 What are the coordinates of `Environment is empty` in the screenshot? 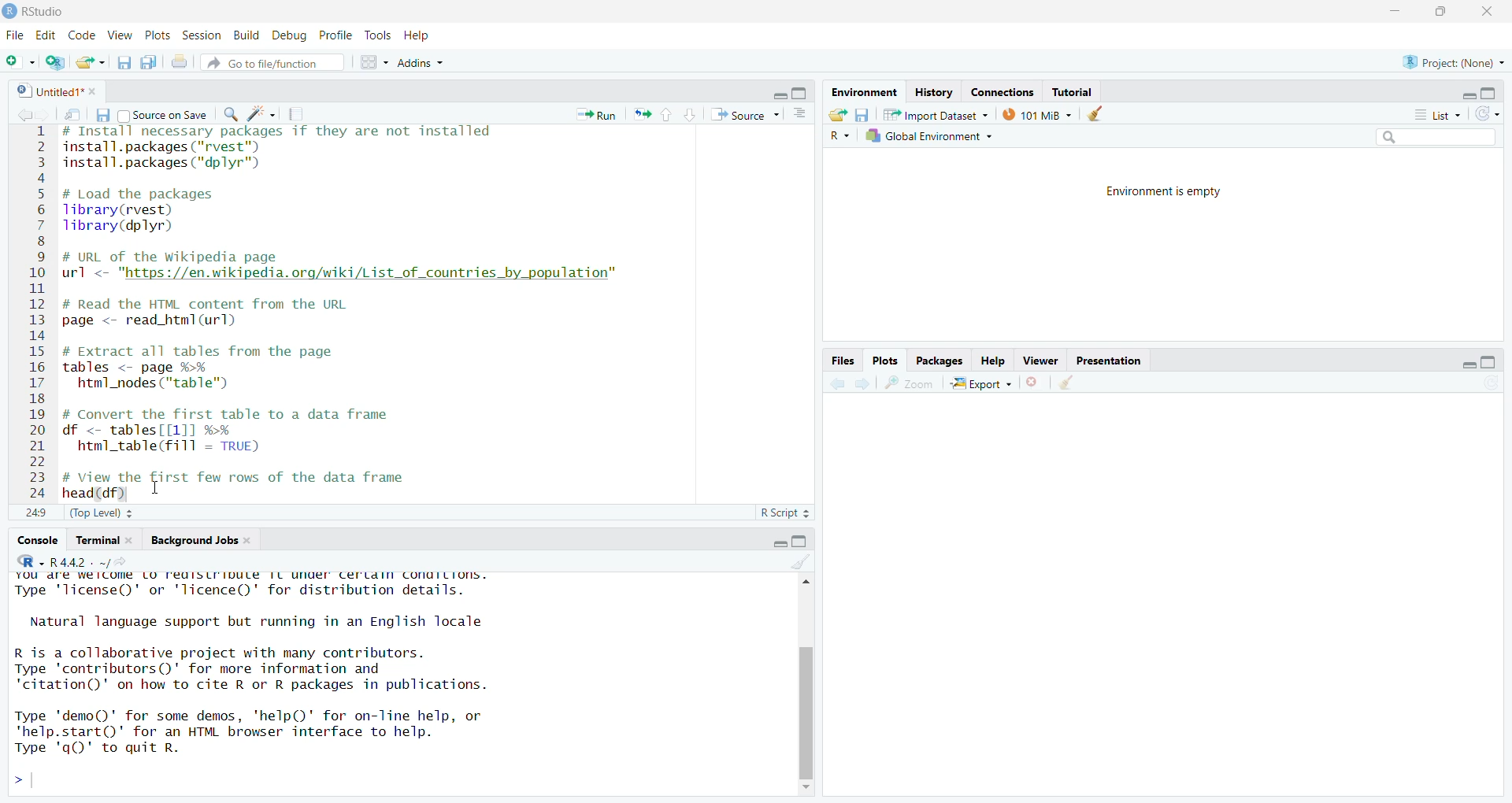 It's located at (1163, 191).